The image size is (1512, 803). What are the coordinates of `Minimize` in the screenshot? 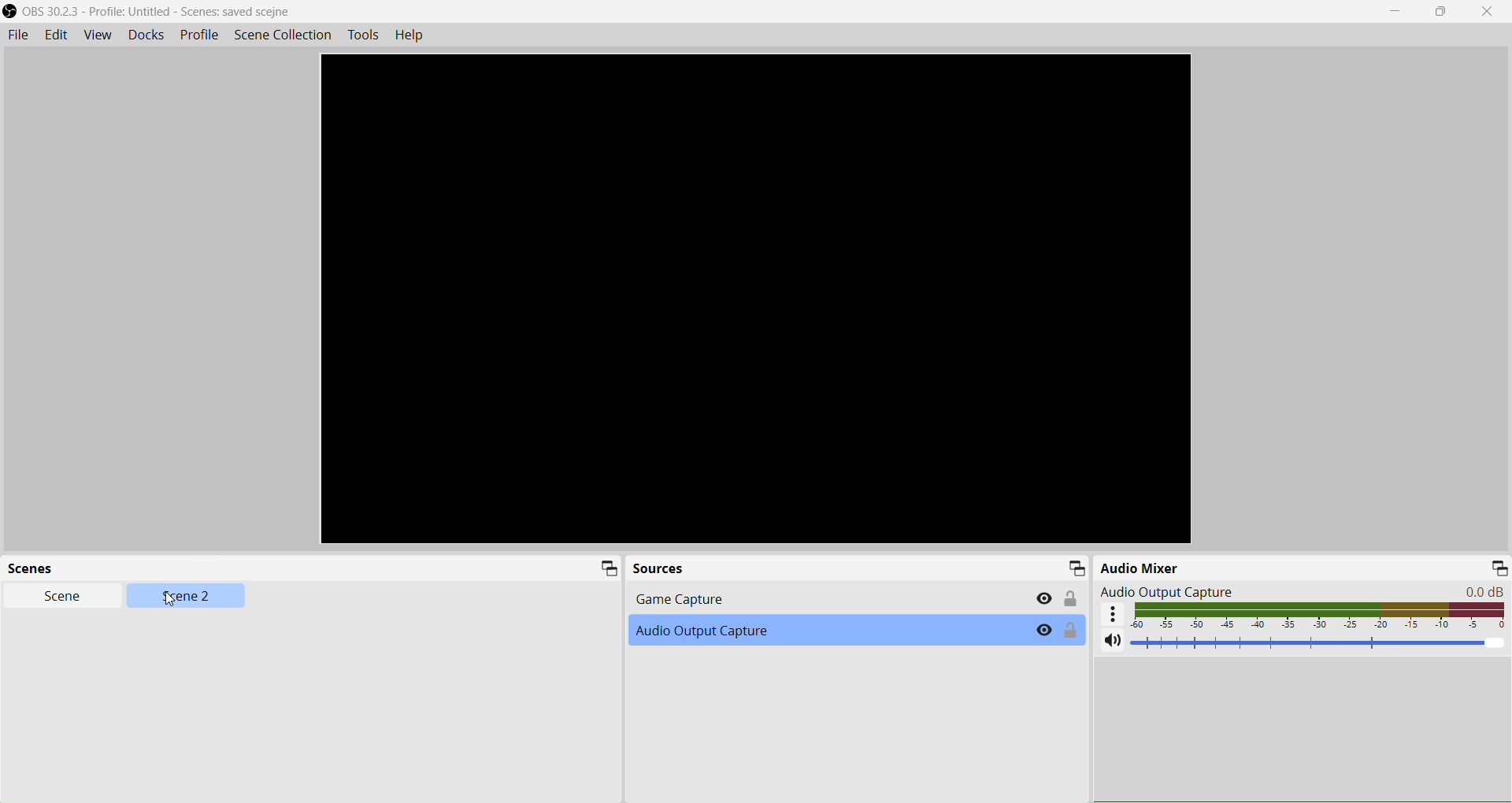 It's located at (1075, 567).